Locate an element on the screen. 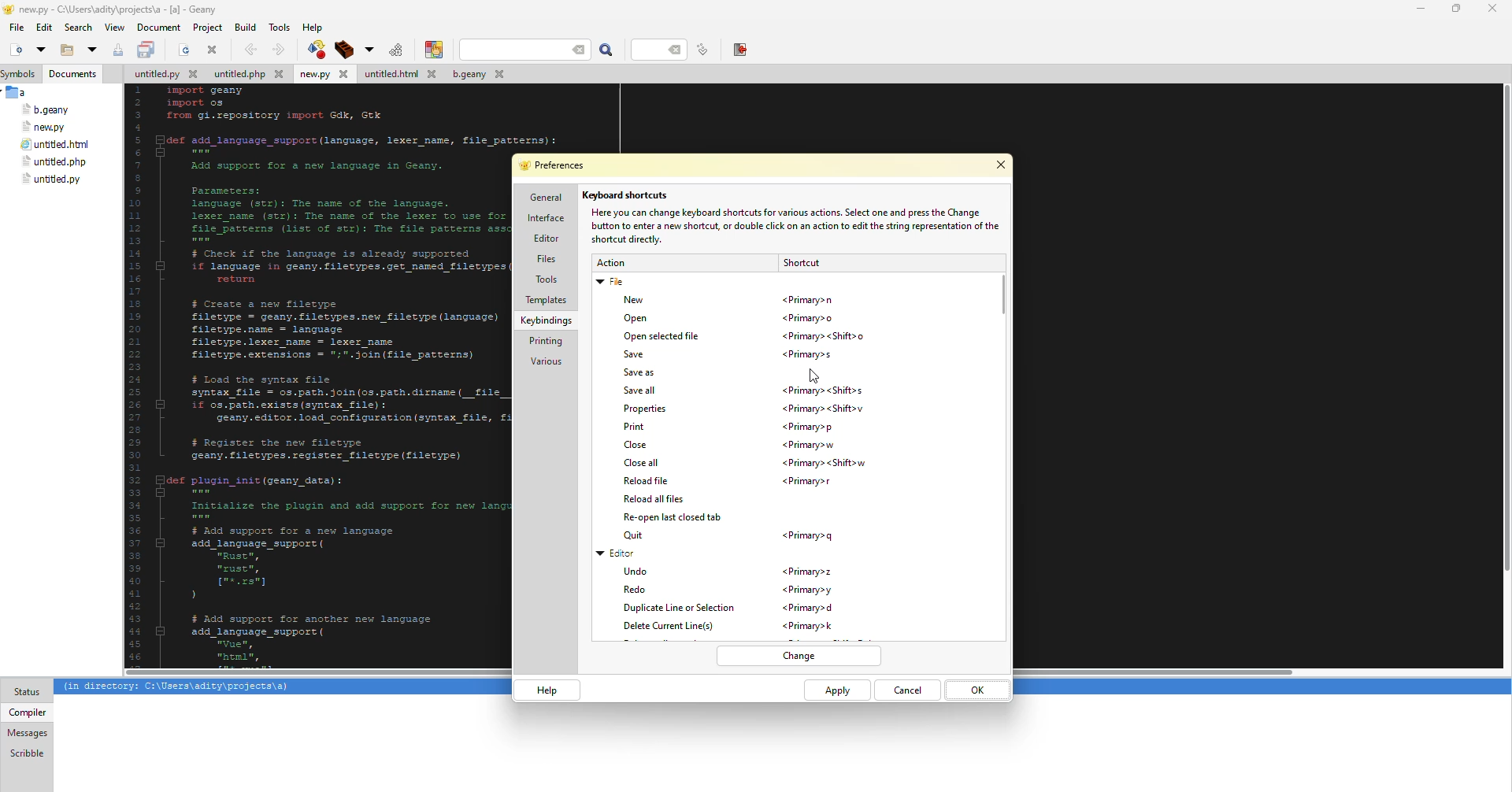 This screenshot has width=1512, height=792. symbols is located at coordinates (22, 74).